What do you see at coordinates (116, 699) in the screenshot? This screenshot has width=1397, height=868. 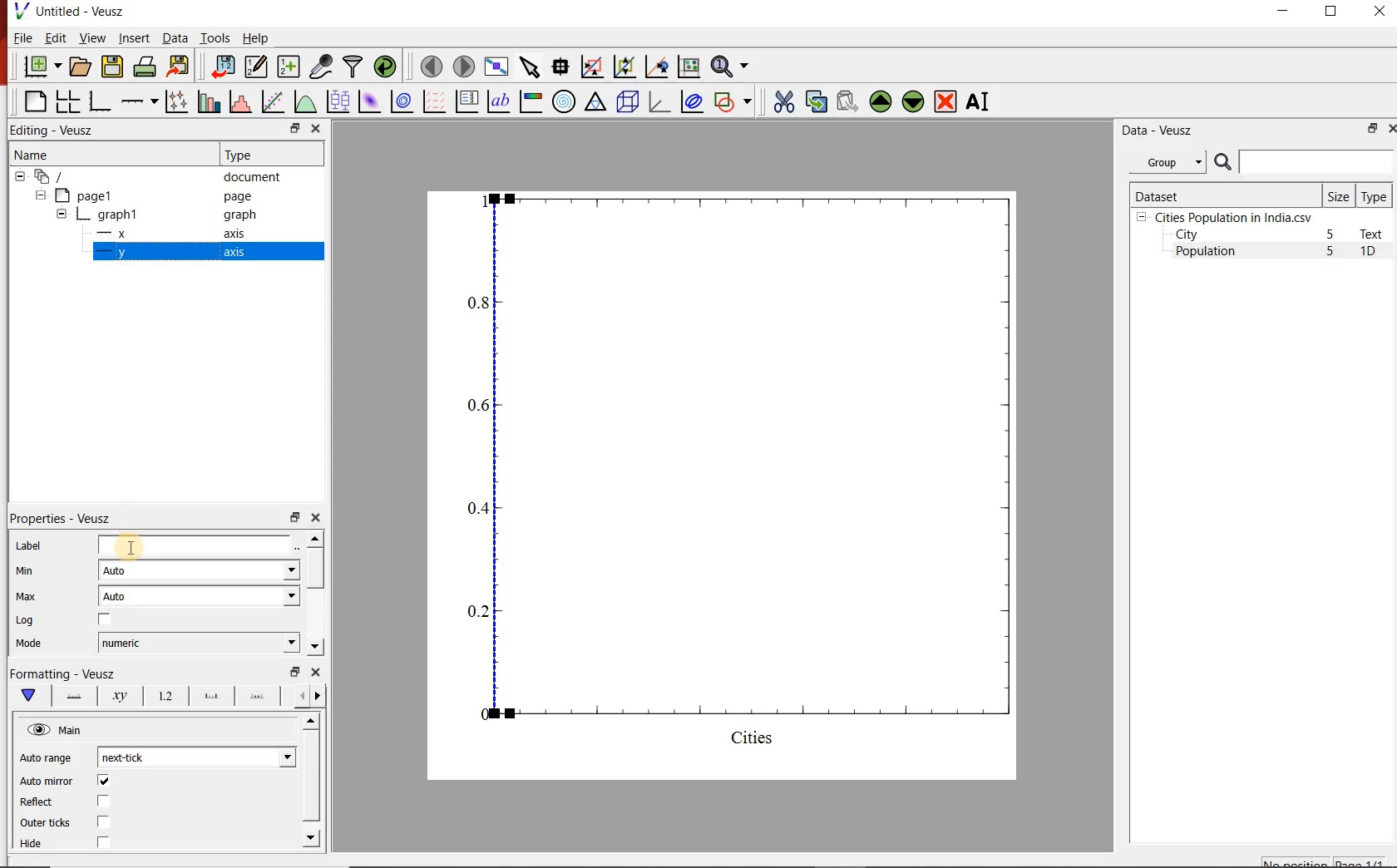 I see `Axis Label` at bounding box center [116, 699].